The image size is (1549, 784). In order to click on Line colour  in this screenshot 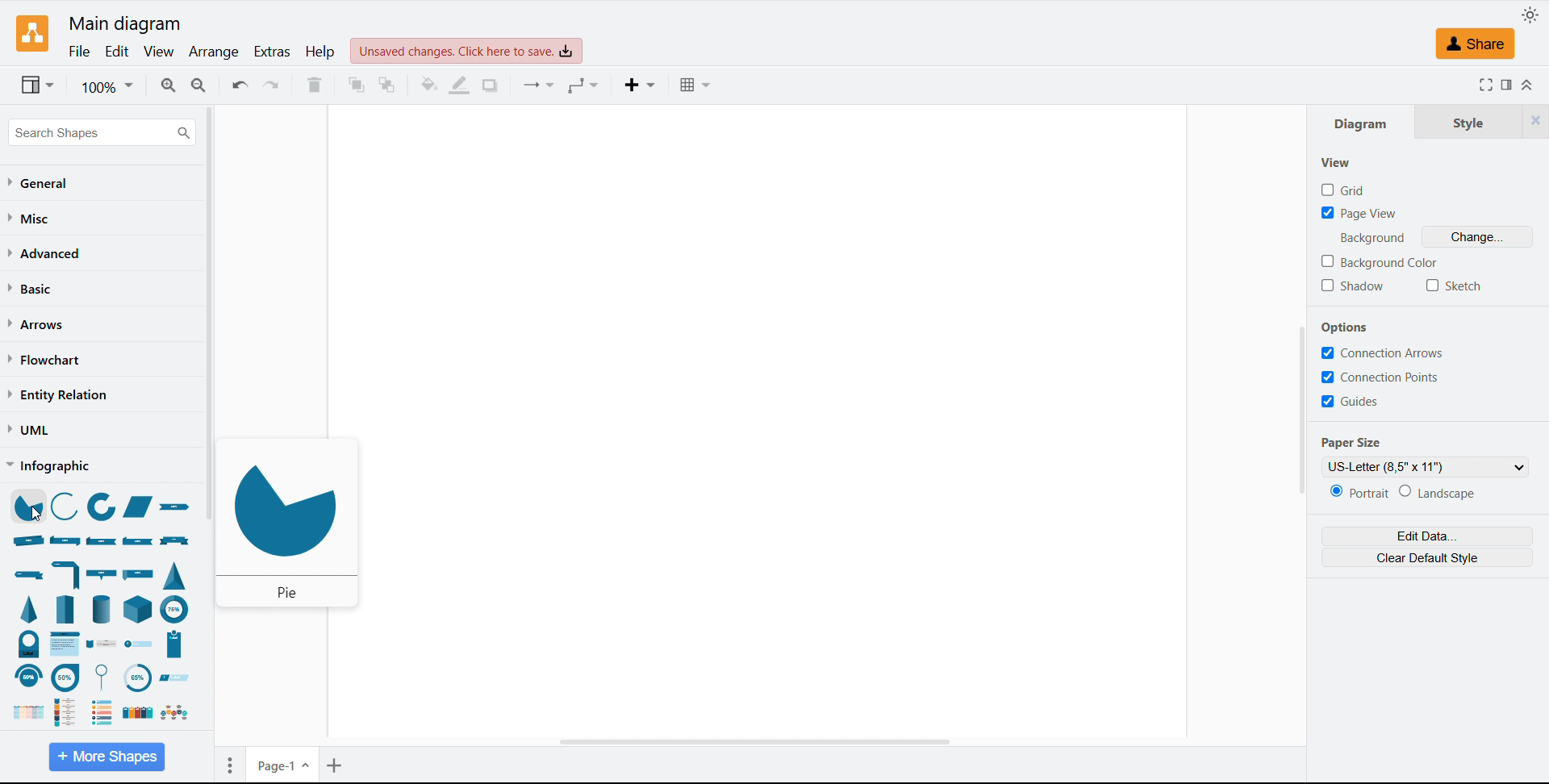, I will do `click(461, 86)`.